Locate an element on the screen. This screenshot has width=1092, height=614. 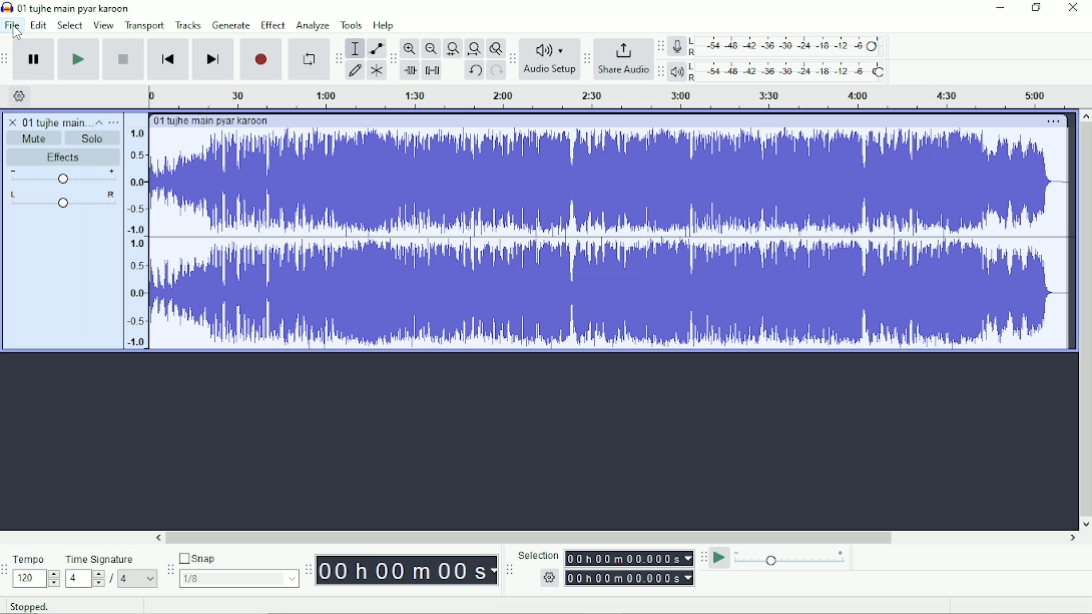
Snap is located at coordinates (237, 570).